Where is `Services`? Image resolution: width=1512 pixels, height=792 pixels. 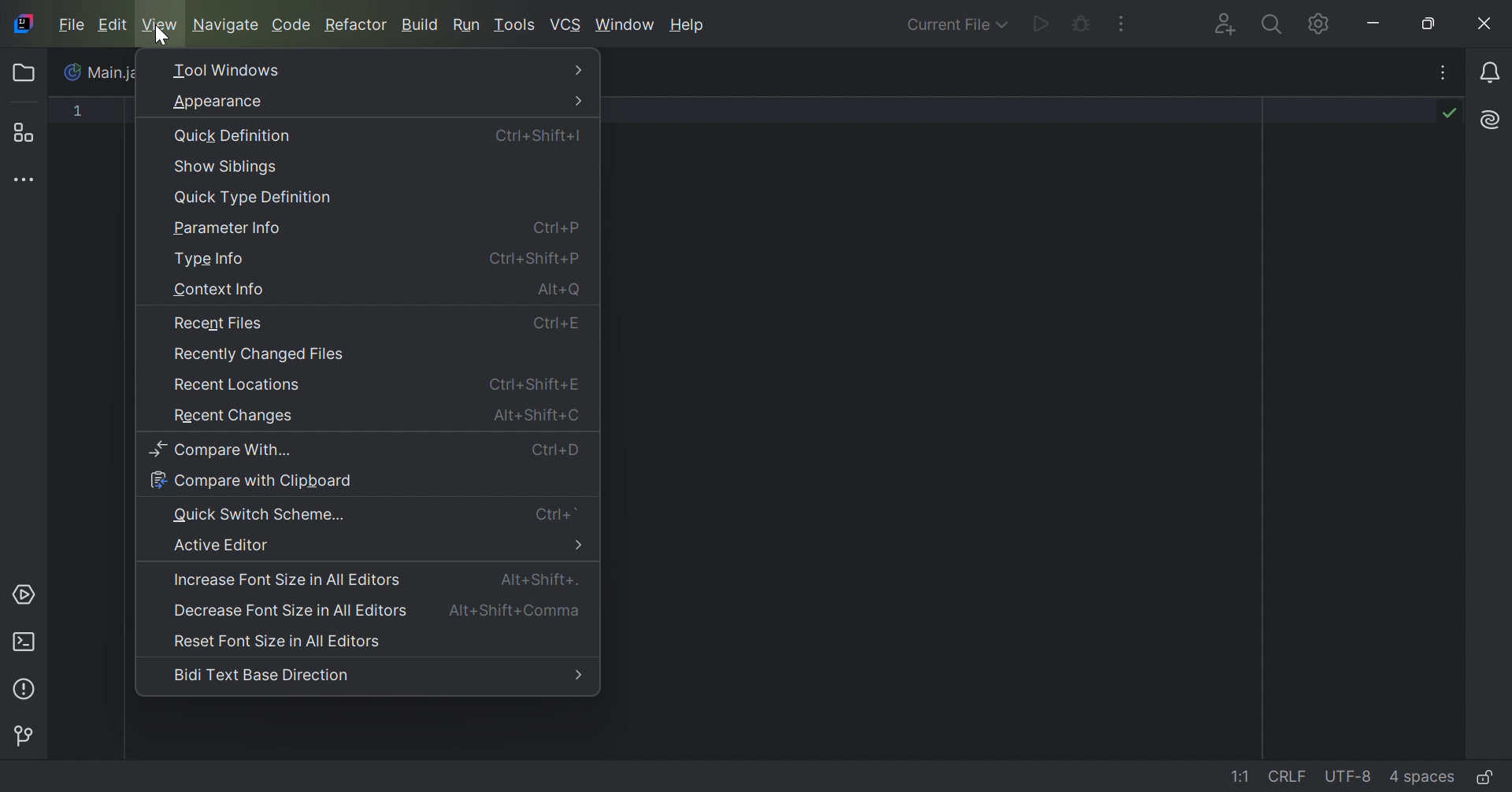
Services is located at coordinates (26, 594).